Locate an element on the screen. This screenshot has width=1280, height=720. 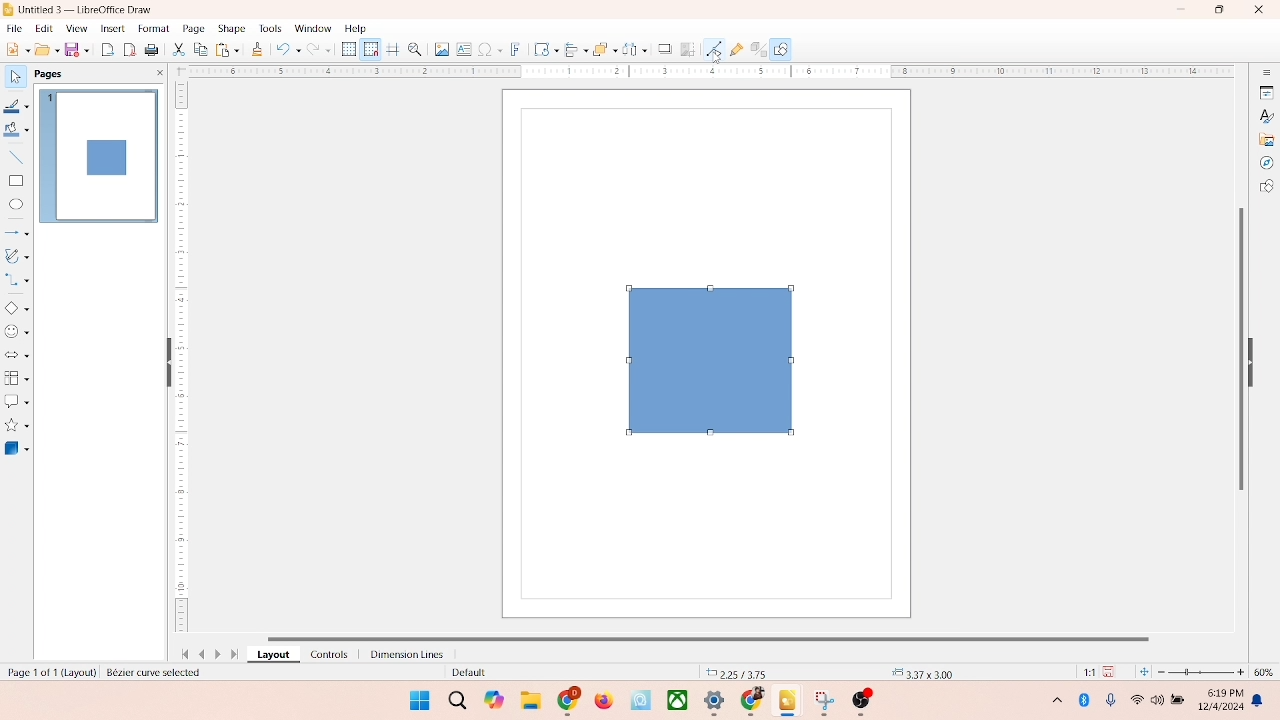
star and banners is located at coordinates (19, 425).